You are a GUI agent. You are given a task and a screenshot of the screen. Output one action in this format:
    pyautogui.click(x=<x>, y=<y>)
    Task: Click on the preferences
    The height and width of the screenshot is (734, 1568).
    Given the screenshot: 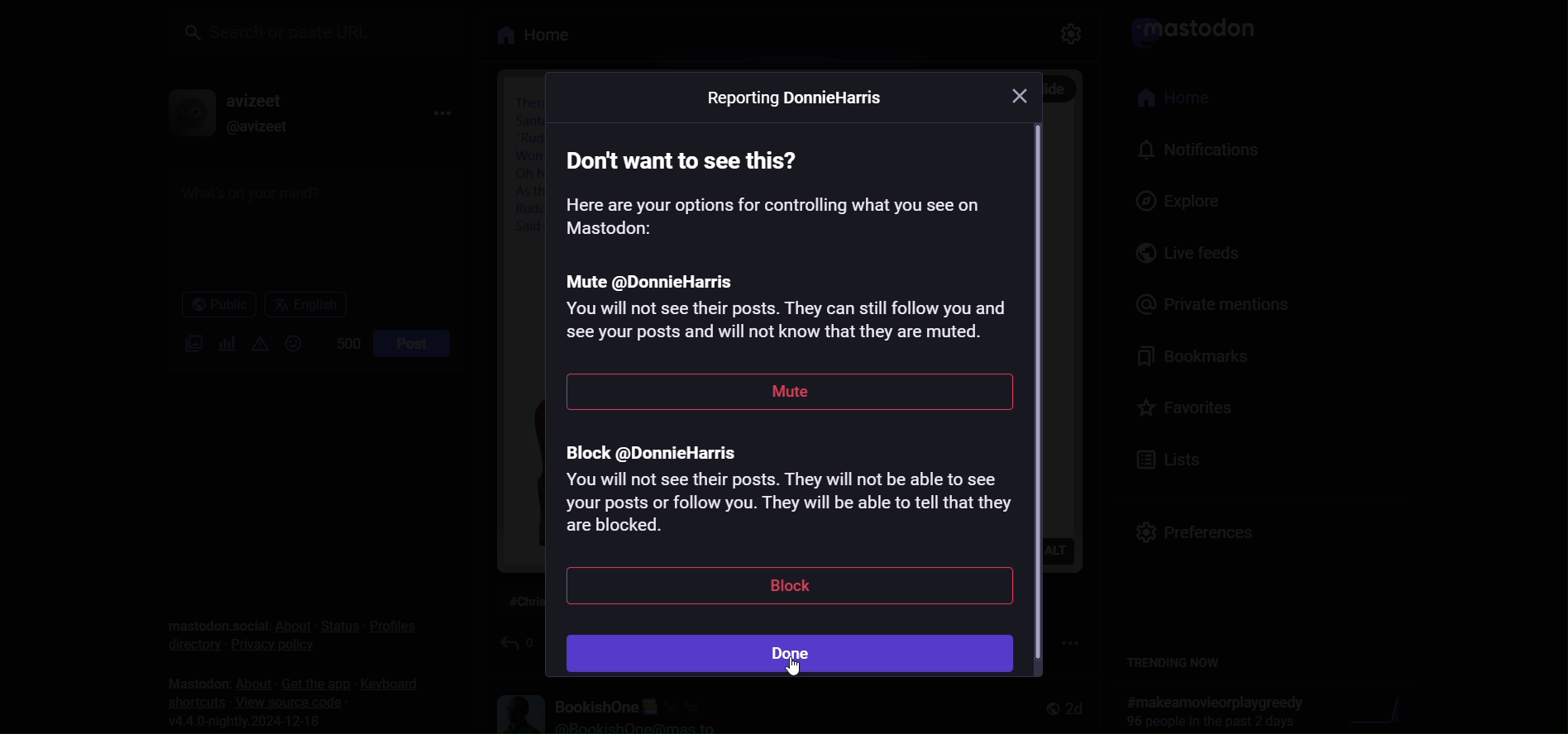 What is the action you would take?
    pyautogui.click(x=1192, y=526)
    